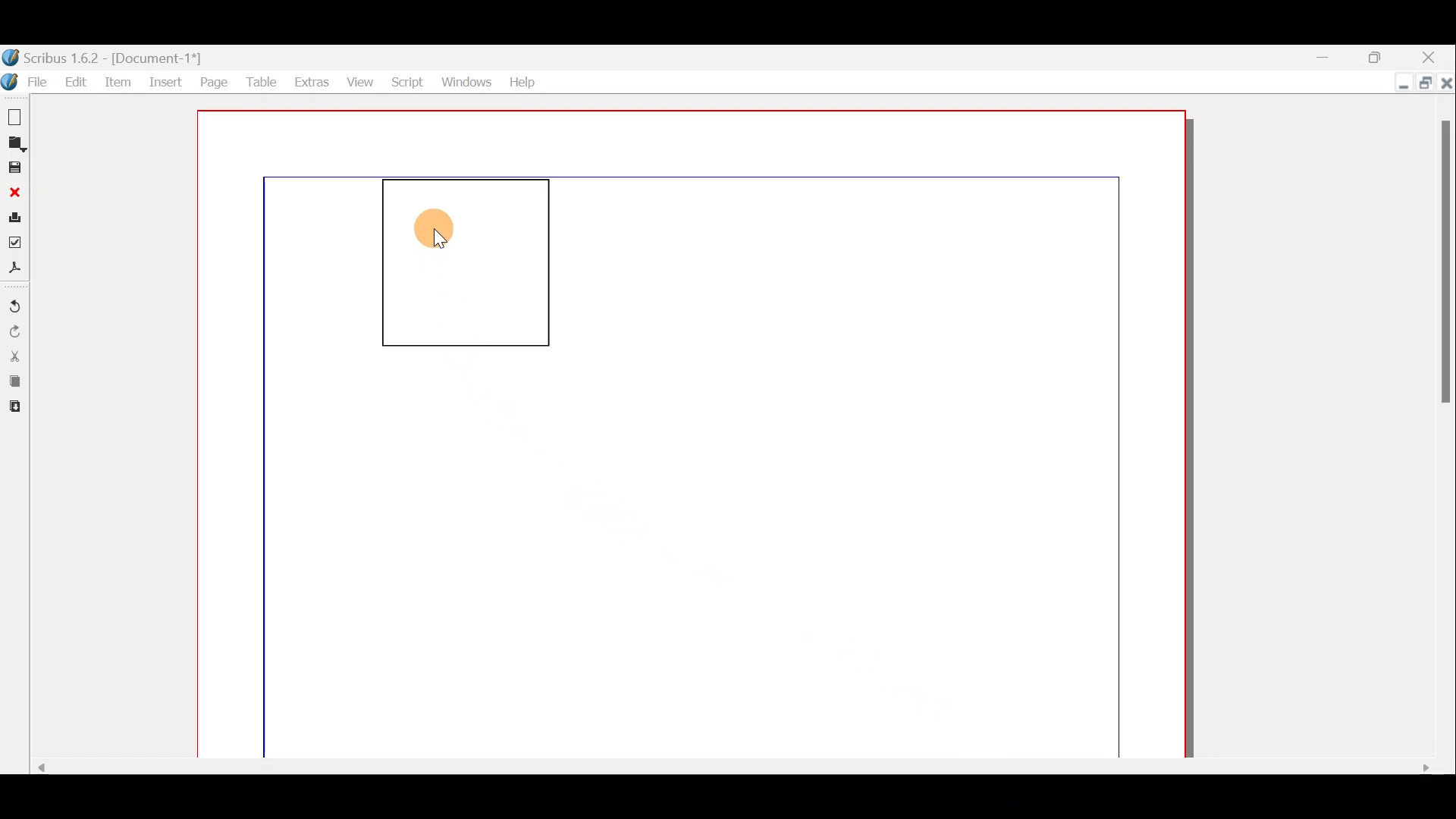 The height and width of the screenshot is (819, 1456). Describe the element at coordinates (13, 409) in the screenshot. I see `Paste` at that location.